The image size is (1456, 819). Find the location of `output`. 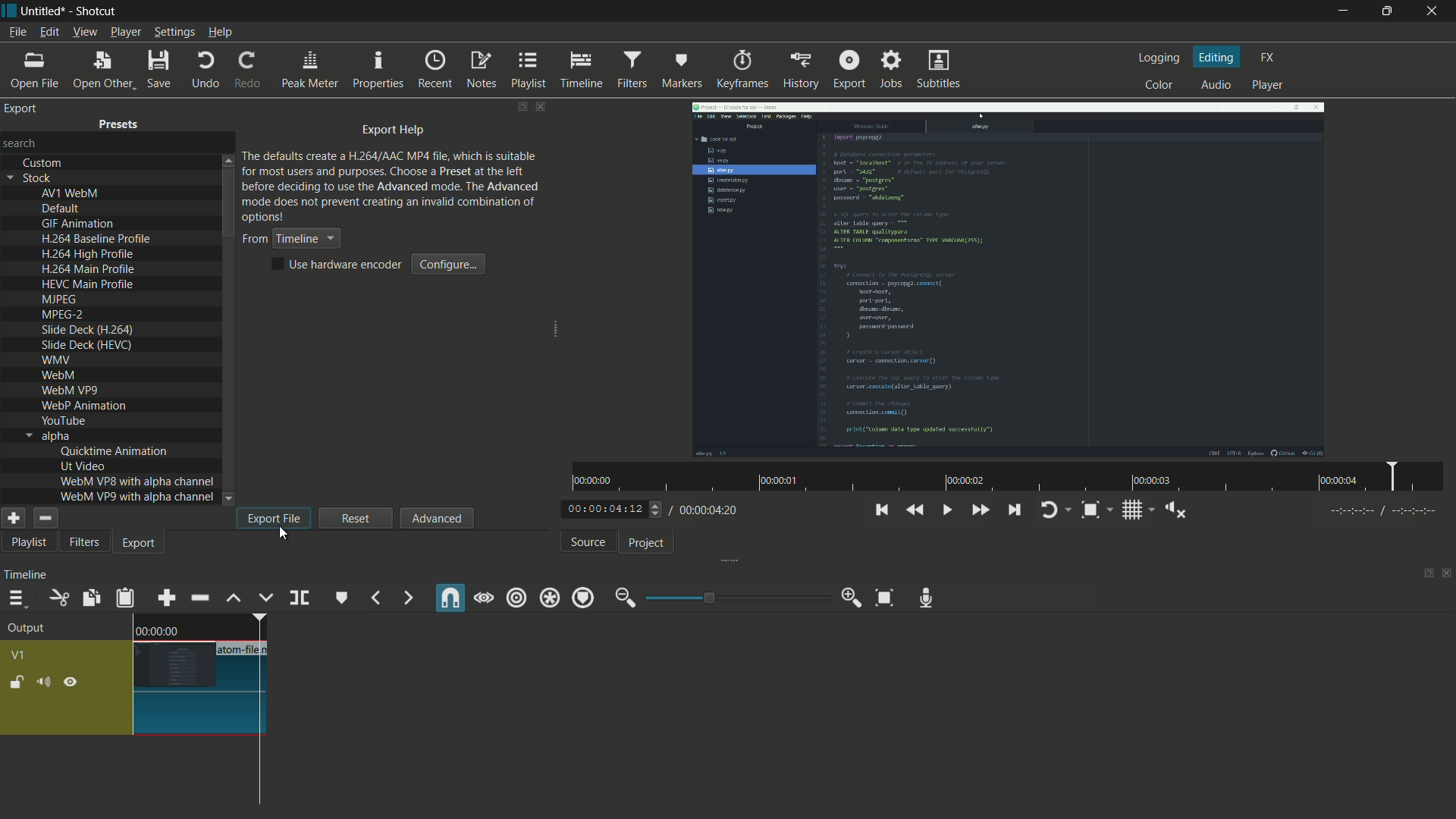

output is located at coordinates (30, 629).